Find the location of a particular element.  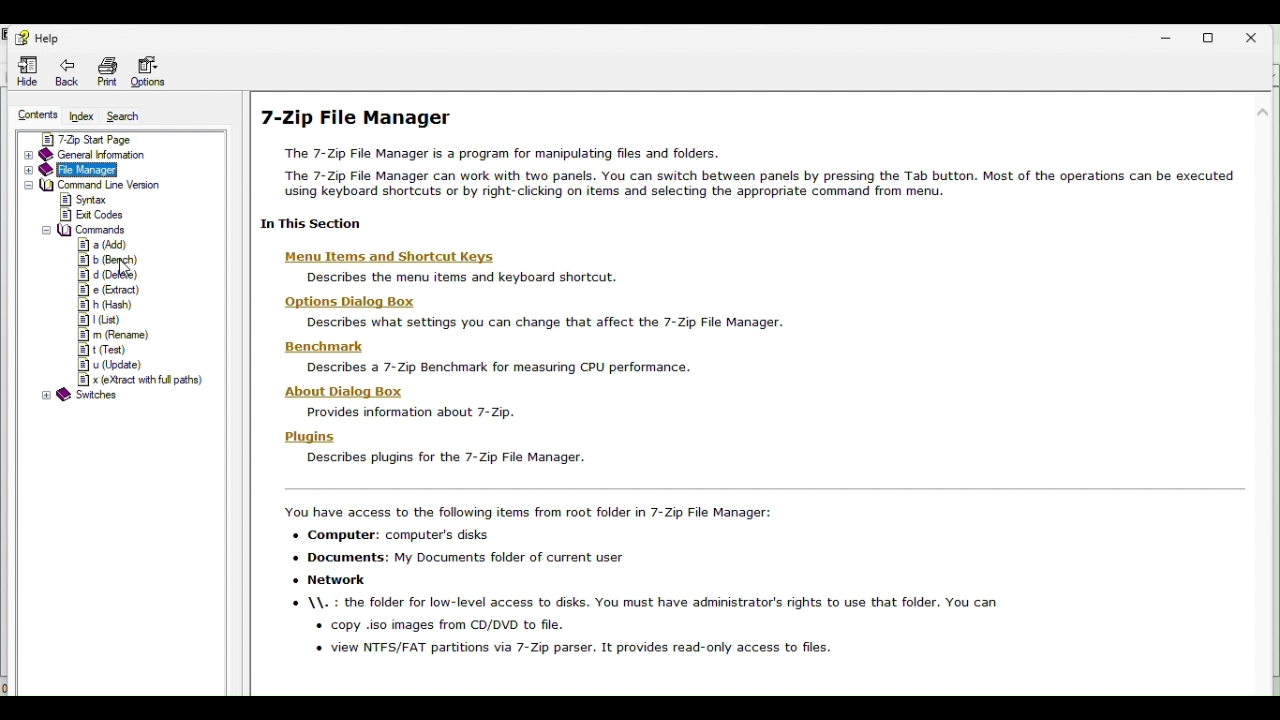

Plugins is located at coordinates (305, 437).